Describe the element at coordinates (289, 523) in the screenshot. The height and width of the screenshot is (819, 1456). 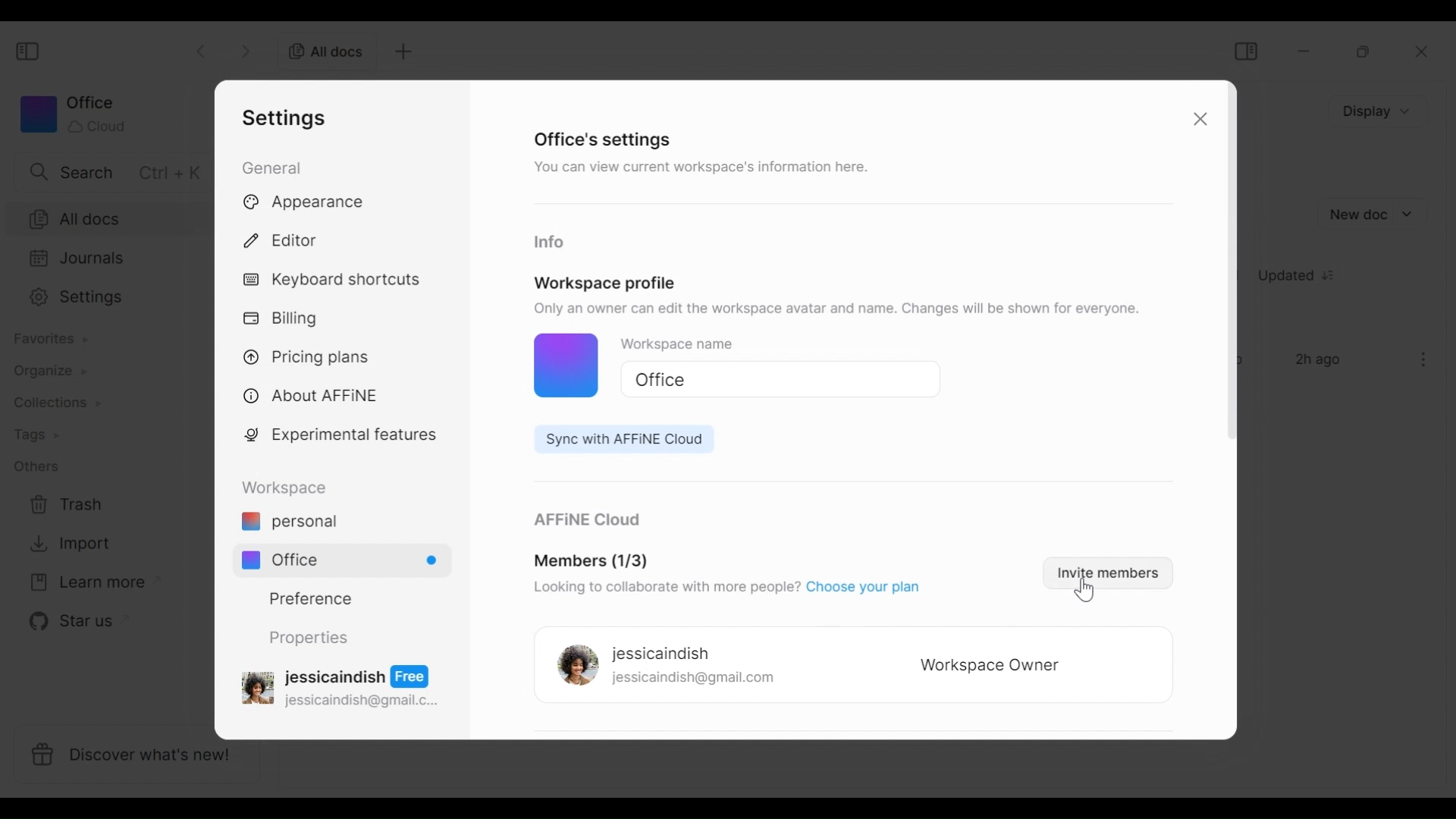
I see `personal` at that location.